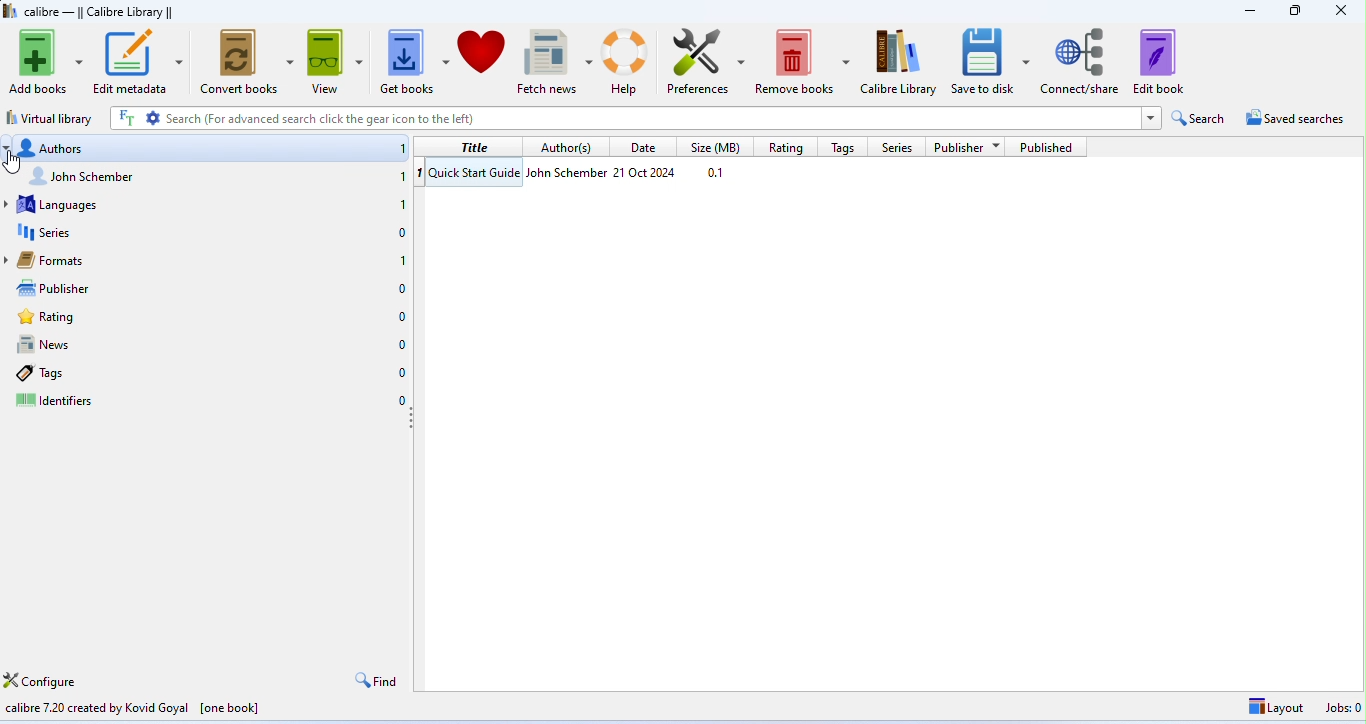  What do you see at coordinates (1343, 708) in the screenshot?
I see `jobs` at bounding box center [1343, 708].